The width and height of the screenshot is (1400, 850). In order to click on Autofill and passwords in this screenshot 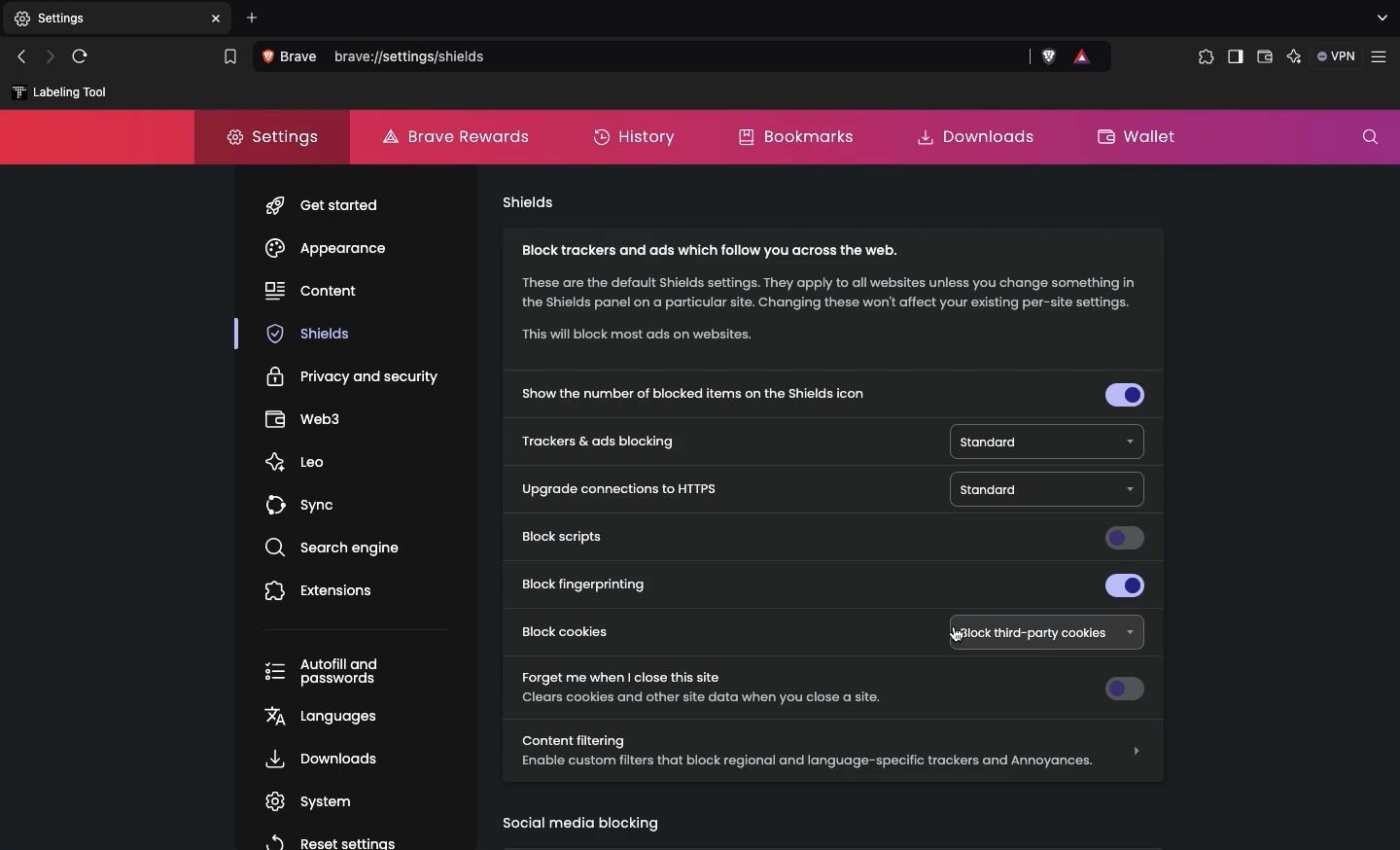, I will do `click(321, 676)`.